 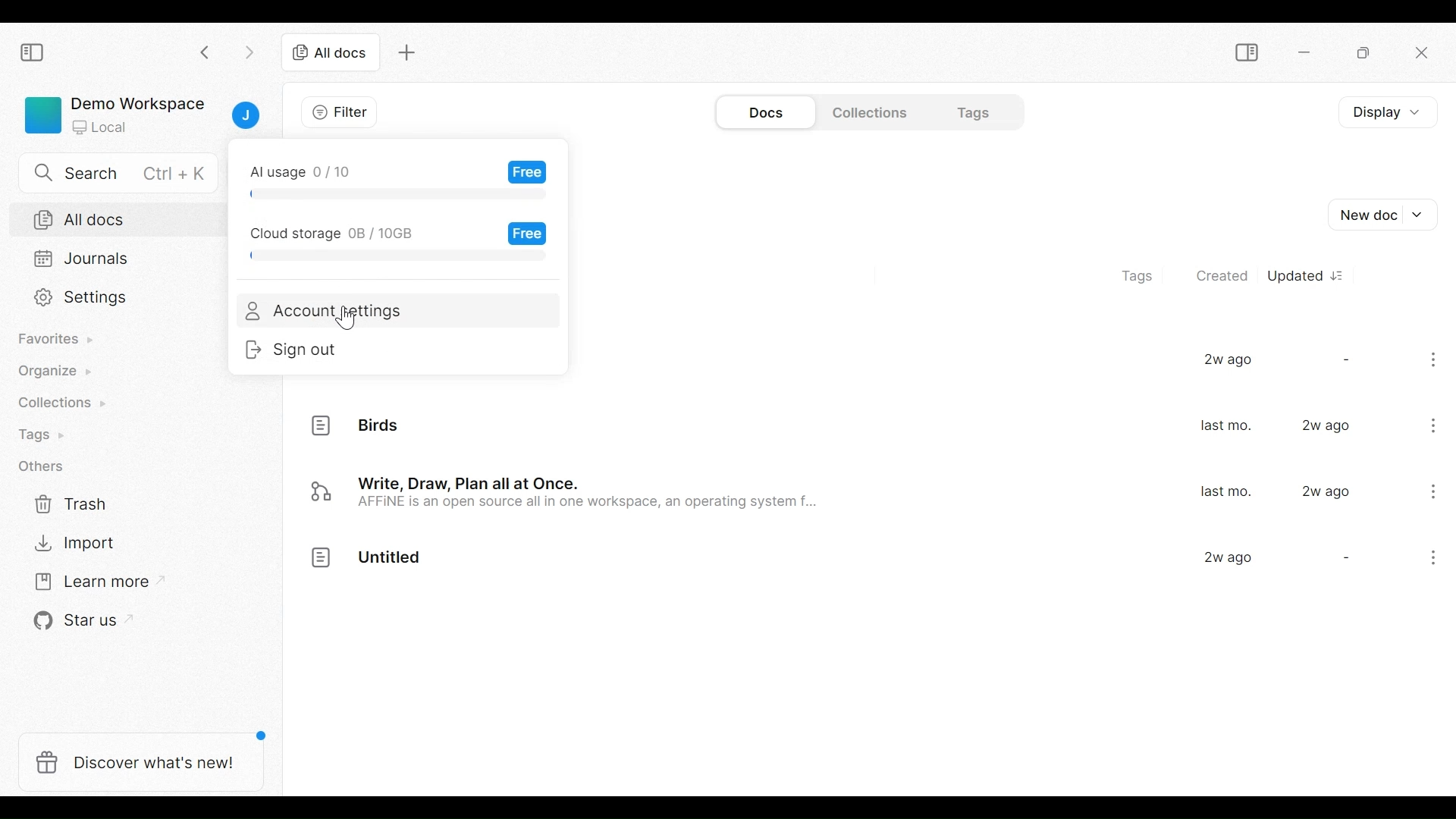 What do you see at coordinates (336, 114) in the screenshot?
I see `Filter` at bounding box center [336, 114].